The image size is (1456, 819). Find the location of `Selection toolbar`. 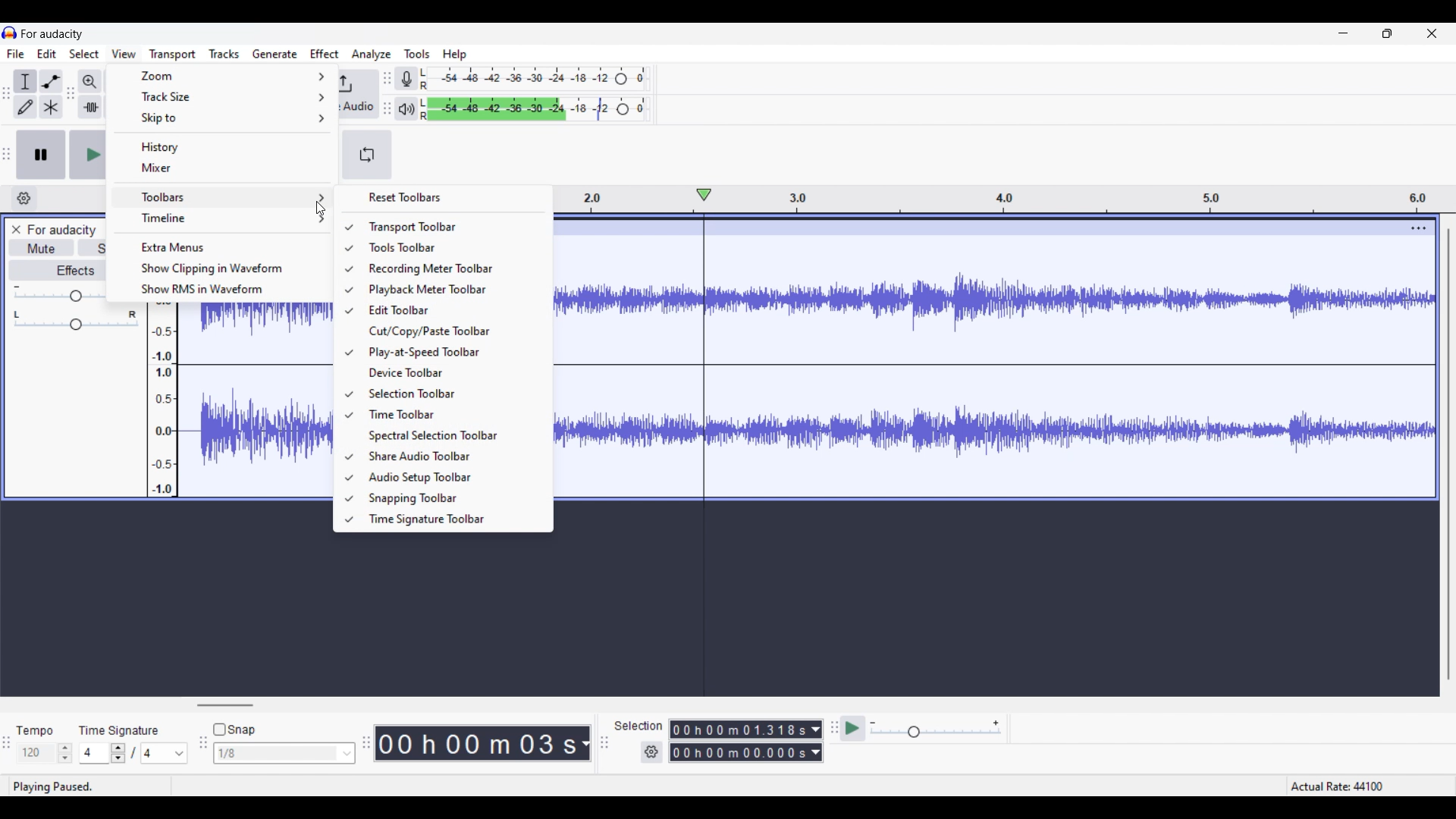

Selection toolbar is located at coordinates (451, 393).